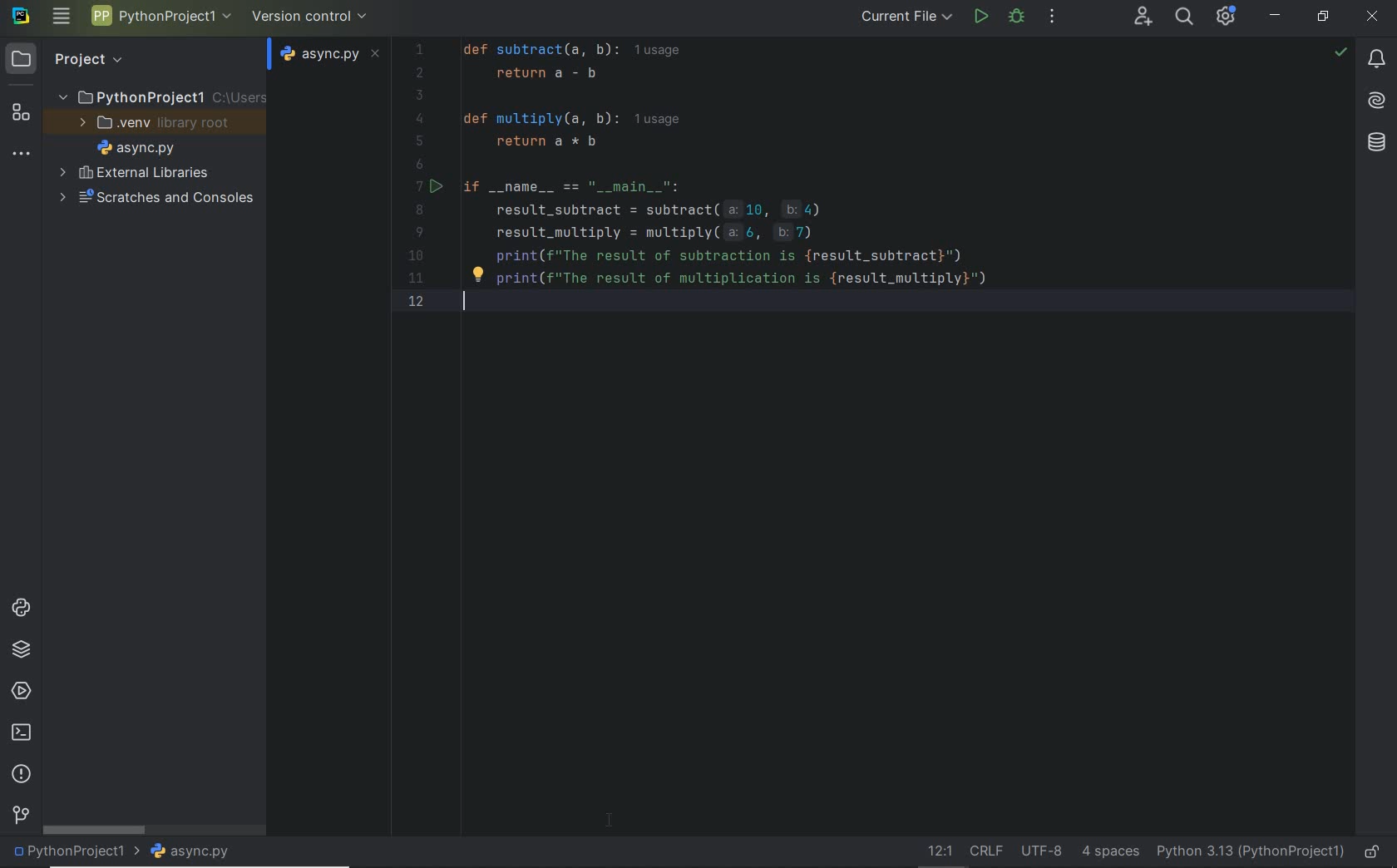 This screenshot has height=868, width=1397. I want to click on bug, so click(1015, 16).